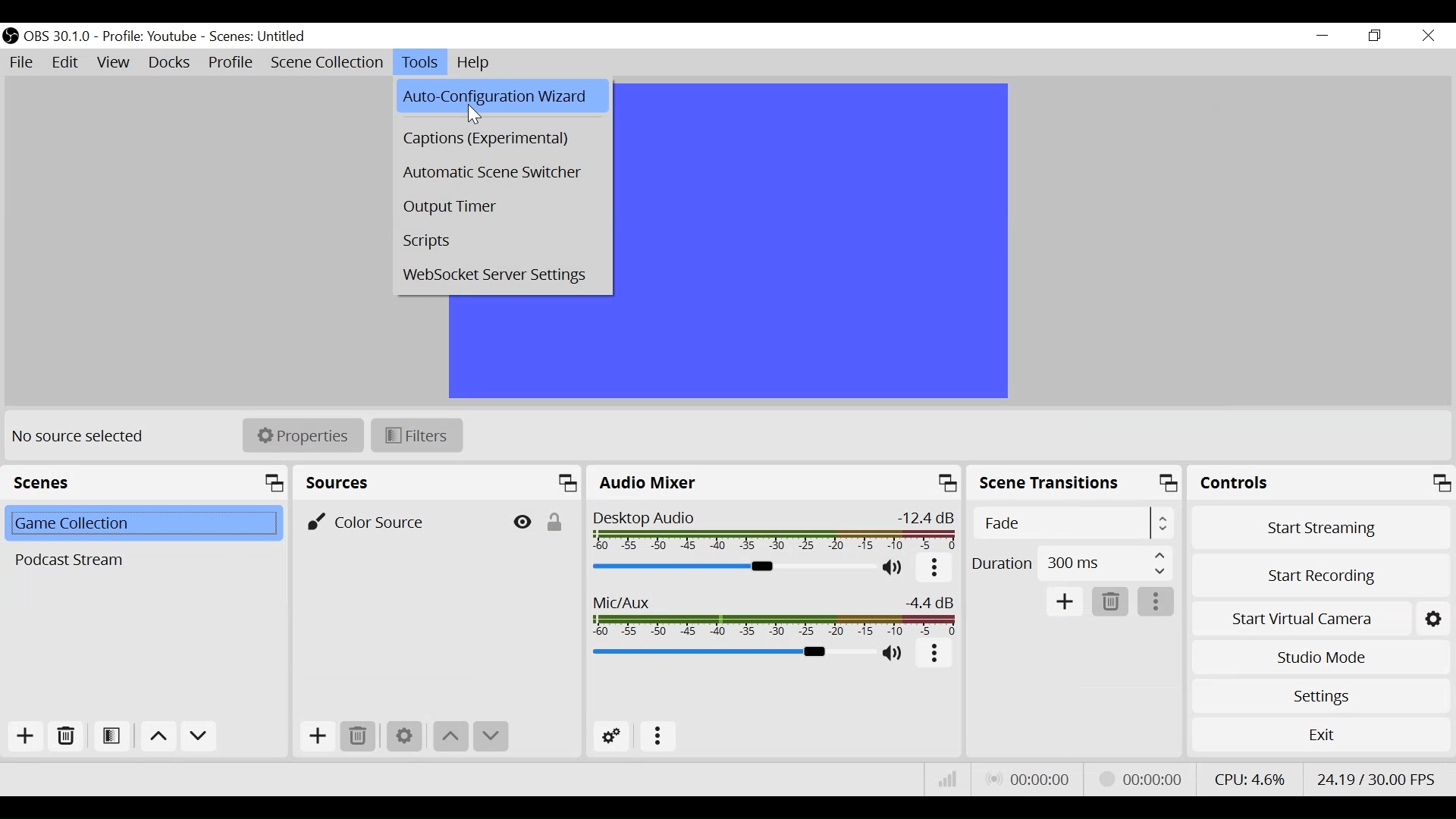 Image resolution: width=1456 pixels, height=819 pixels. I want to click on View, so click(113, 63).